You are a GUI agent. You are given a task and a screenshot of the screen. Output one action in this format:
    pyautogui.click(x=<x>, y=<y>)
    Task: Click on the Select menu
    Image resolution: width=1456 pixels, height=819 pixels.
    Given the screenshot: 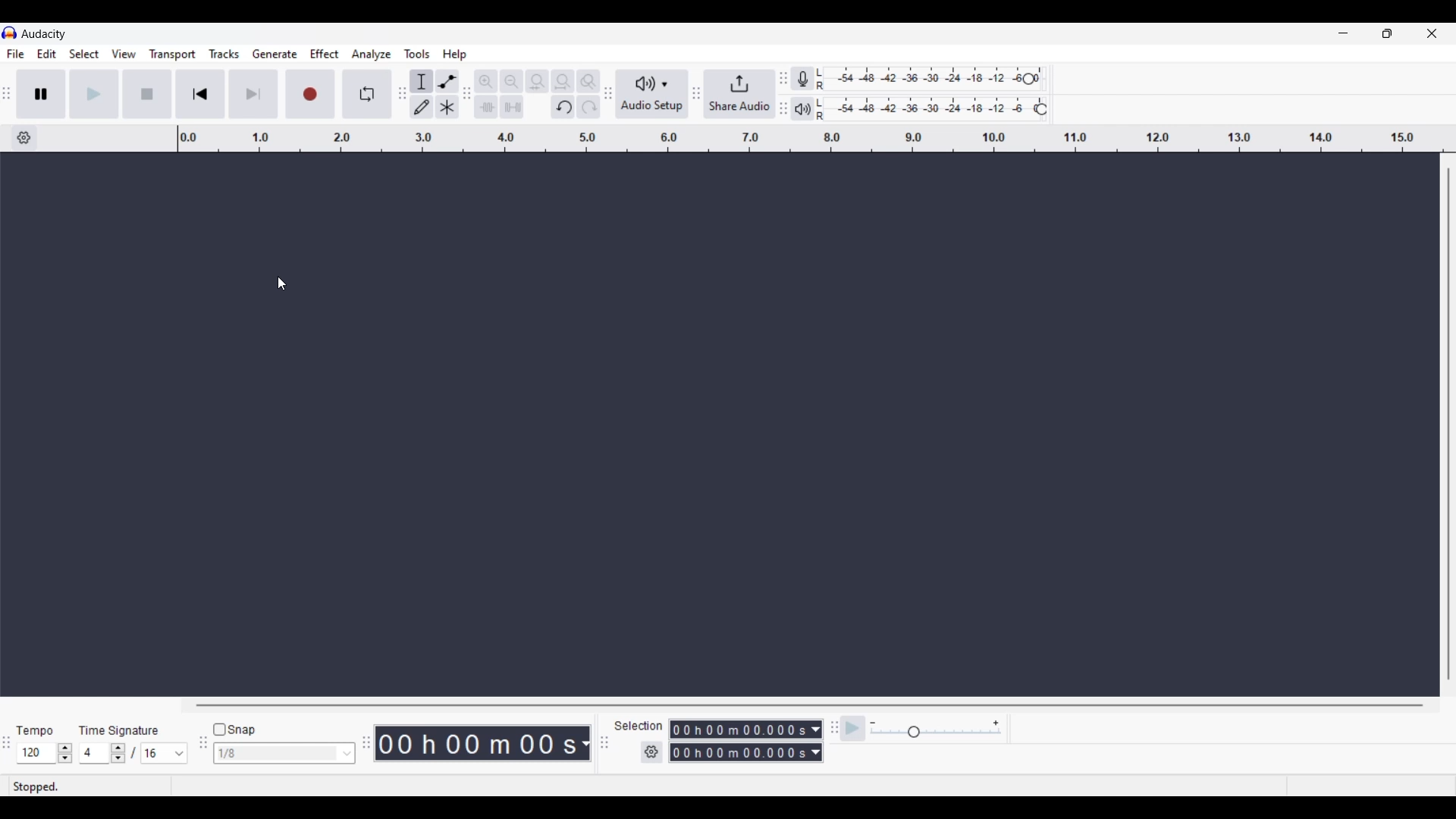 What is the action you would take?
    pyautogui.click(x=84, y=55)
    